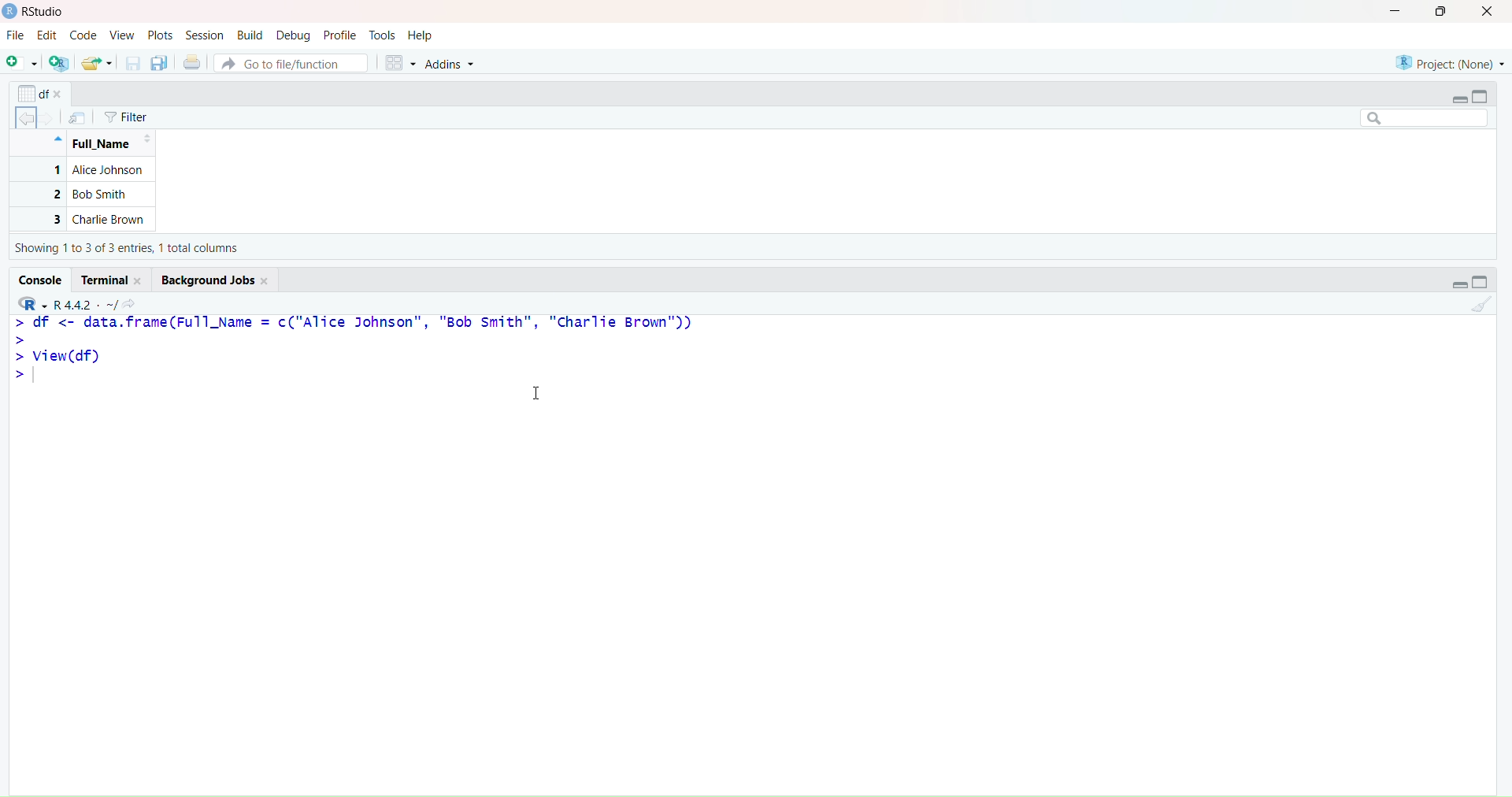 The image size is (1512, 797). I want to click on Edit, so click(46, 35).